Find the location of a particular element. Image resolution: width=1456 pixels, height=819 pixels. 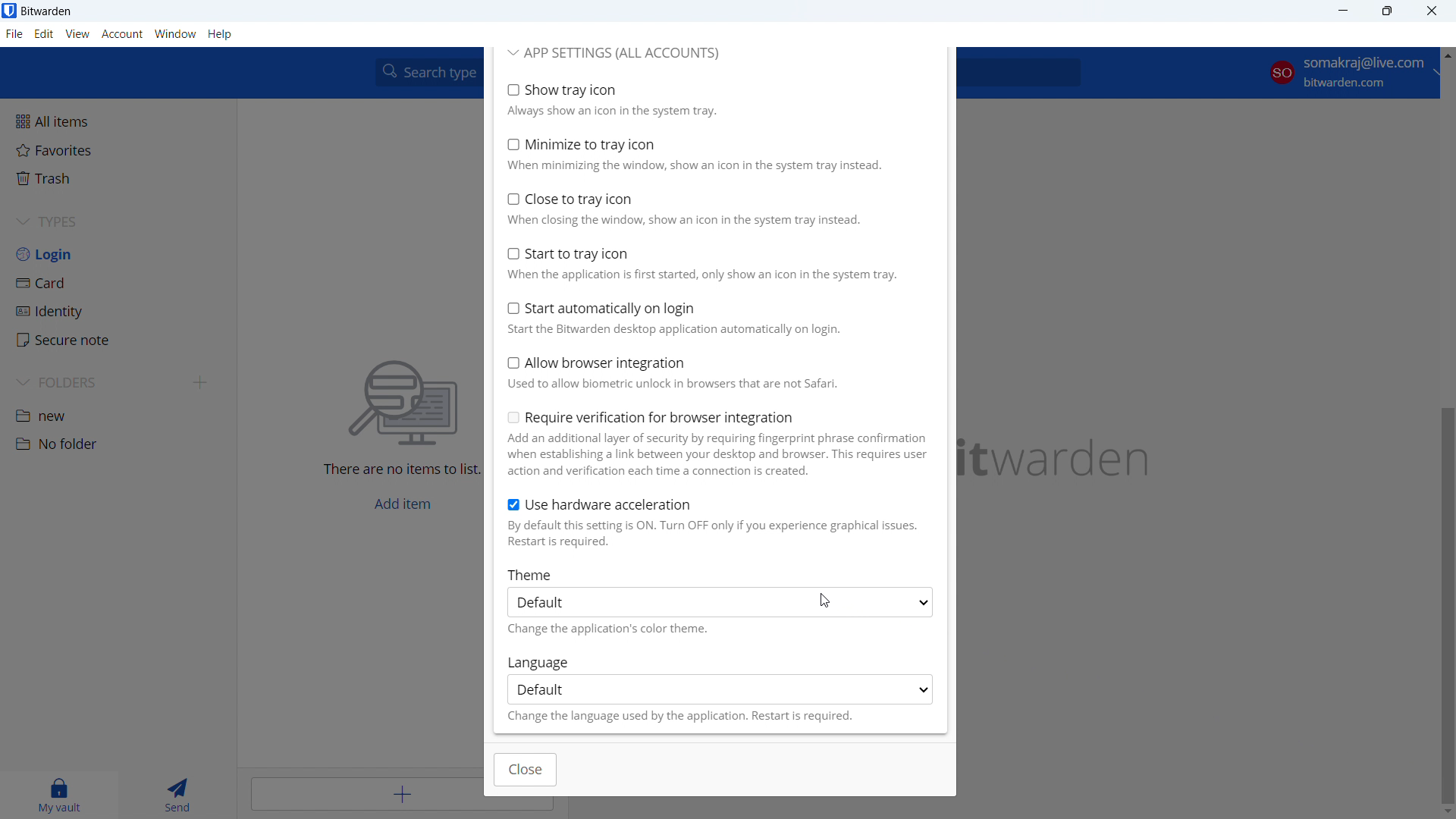

strat to tray icon is located at coordinates (714, 262).